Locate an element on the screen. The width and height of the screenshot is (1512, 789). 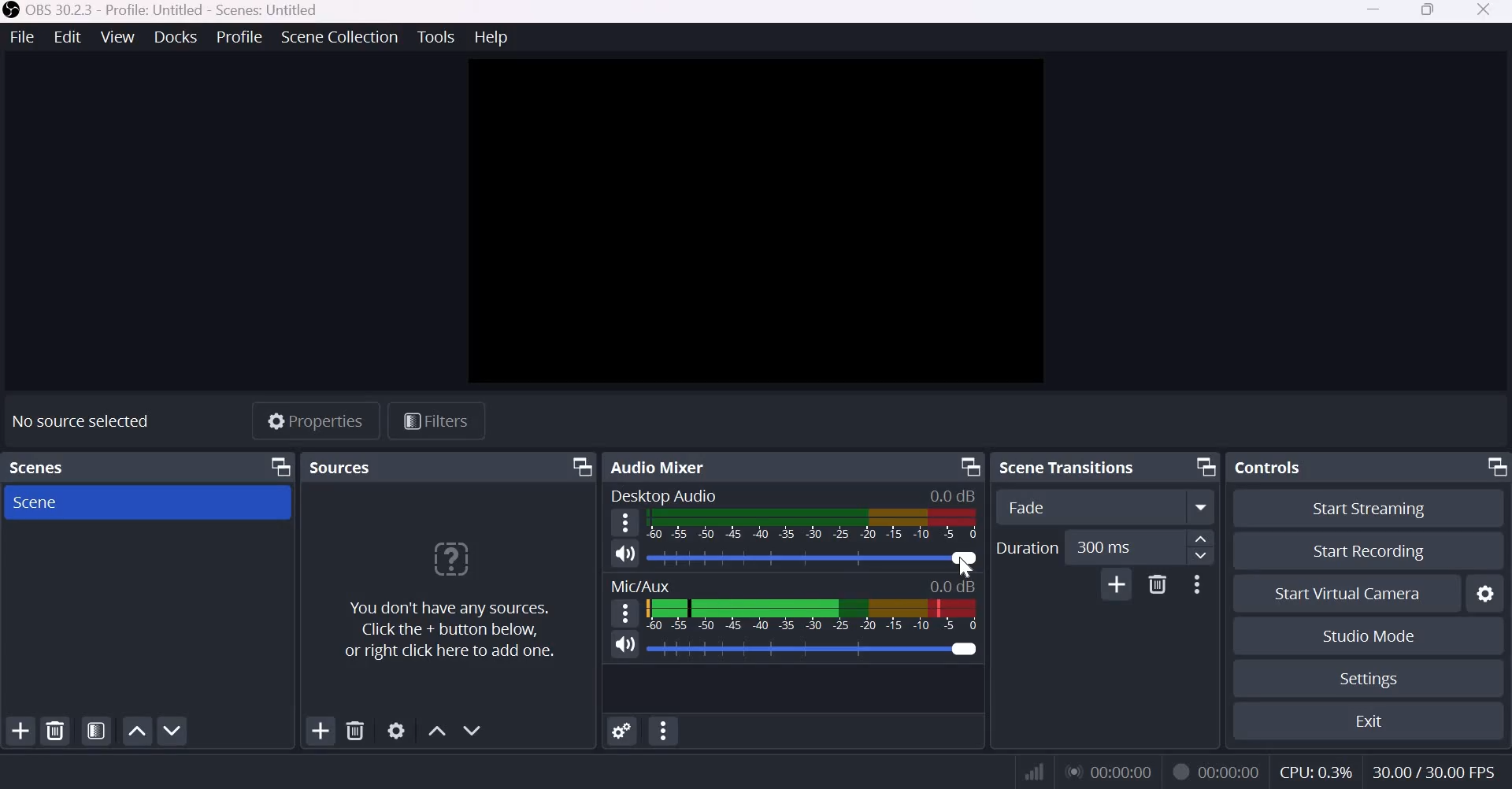
Volume Meter is located at coordinates (813, 614).